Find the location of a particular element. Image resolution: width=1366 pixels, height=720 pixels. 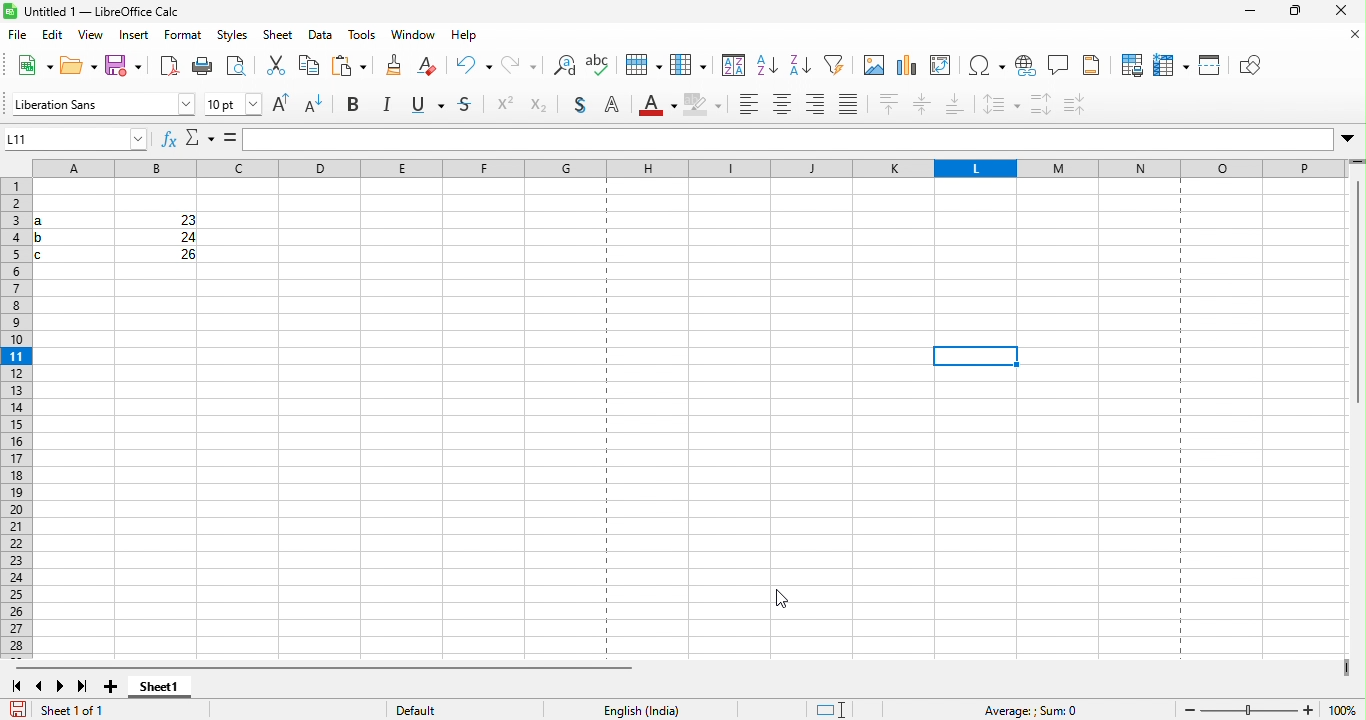

previous sheet is located at coordinates (37, 683).